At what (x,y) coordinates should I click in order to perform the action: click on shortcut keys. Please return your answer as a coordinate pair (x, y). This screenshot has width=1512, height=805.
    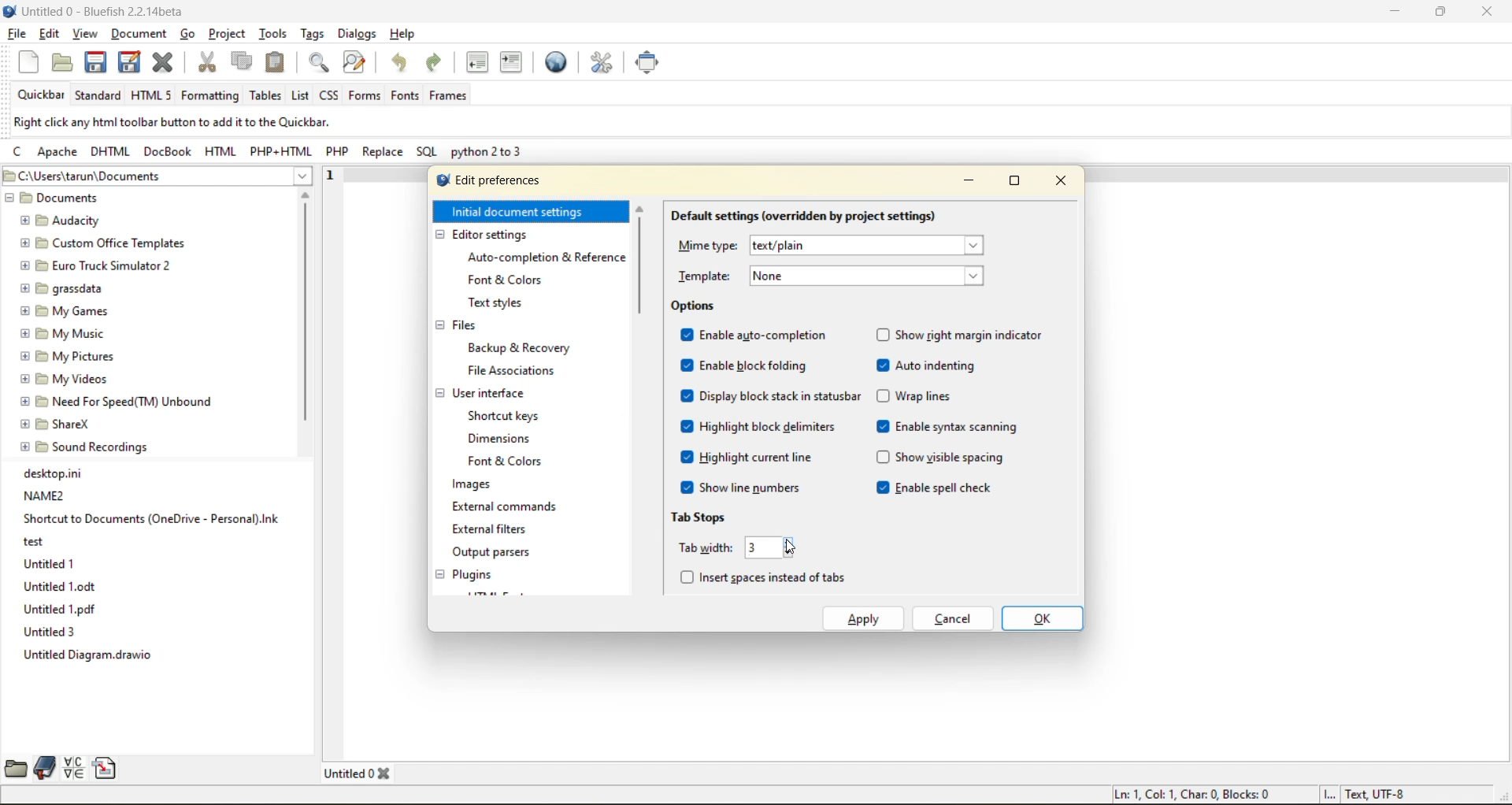
    Looking at the image, I should click on (508, 414).